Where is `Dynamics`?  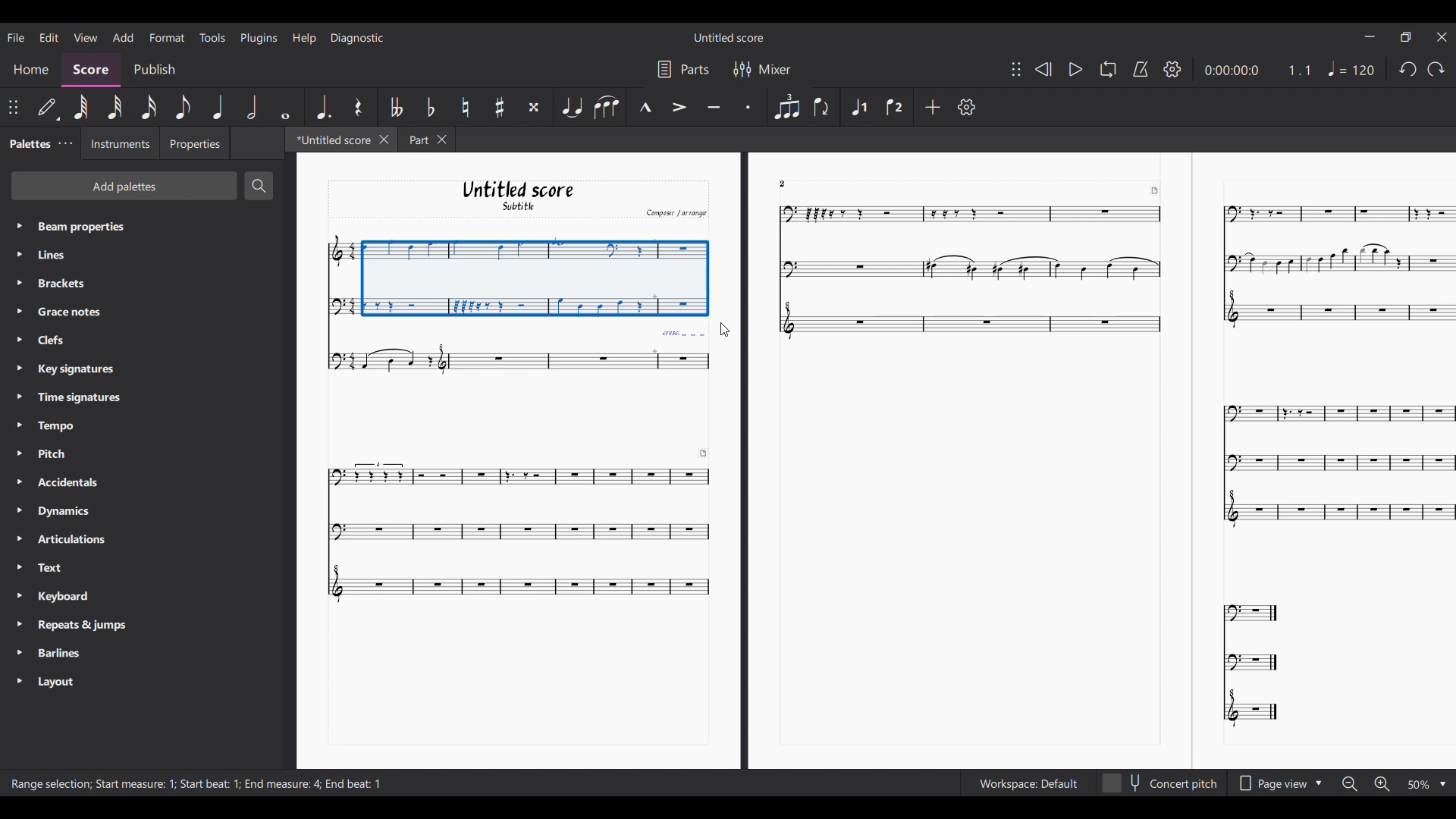
Dynamics is located at coordinates (71, 510).